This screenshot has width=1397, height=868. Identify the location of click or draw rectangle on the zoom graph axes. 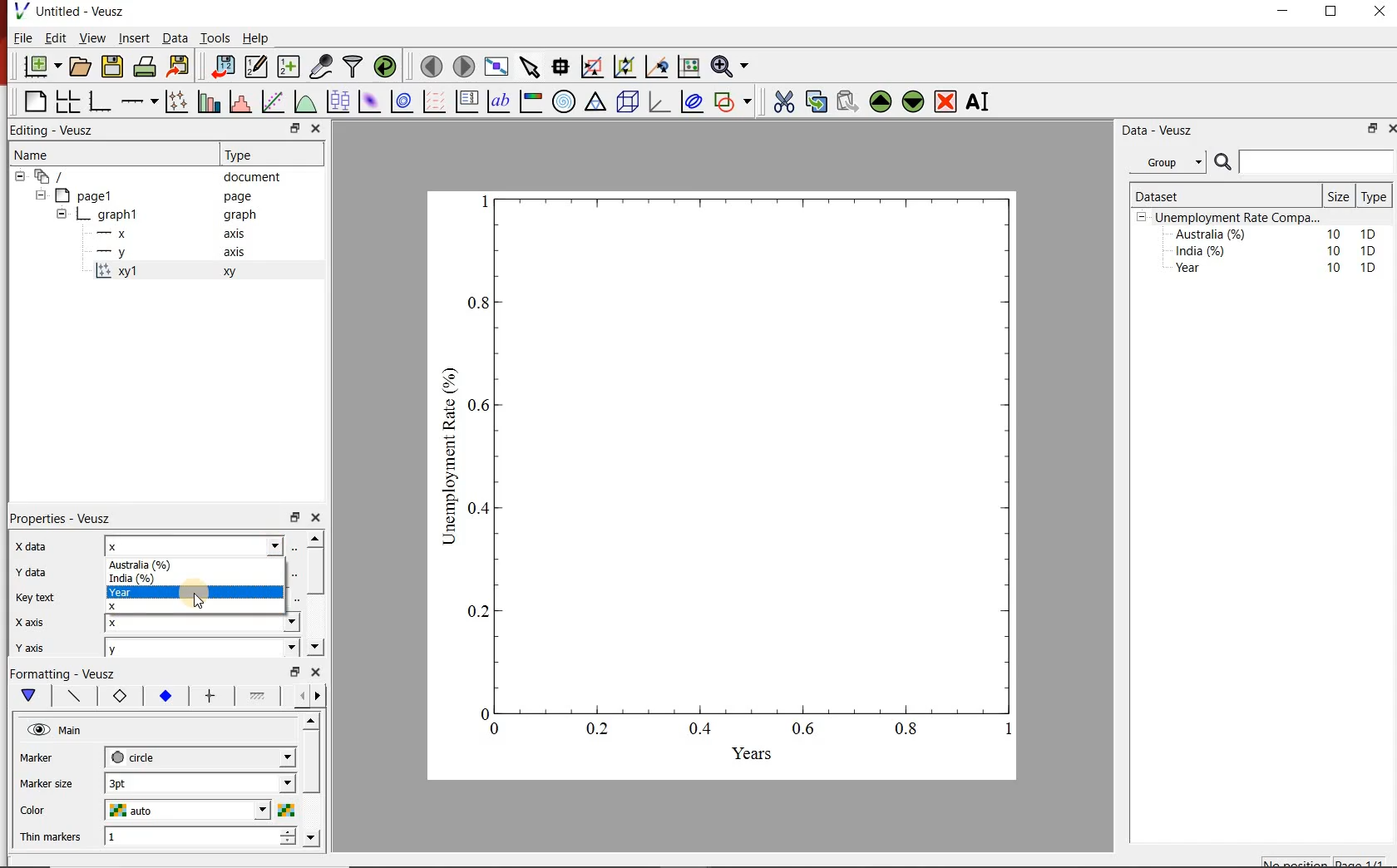
(593, 67).